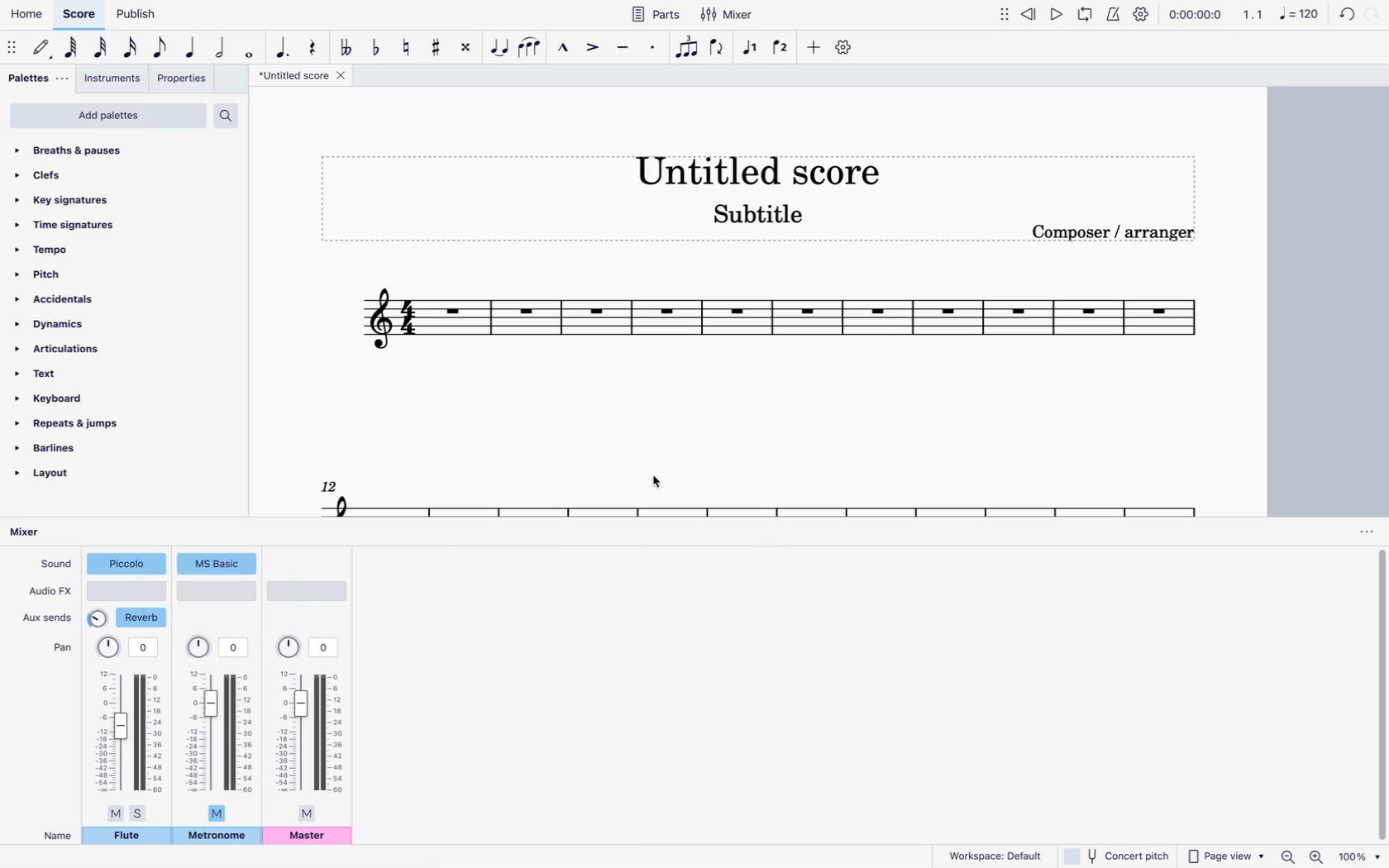 The height and width of the screenshot is (868, 1389). I want to click on rewind, so click(1031, 12).